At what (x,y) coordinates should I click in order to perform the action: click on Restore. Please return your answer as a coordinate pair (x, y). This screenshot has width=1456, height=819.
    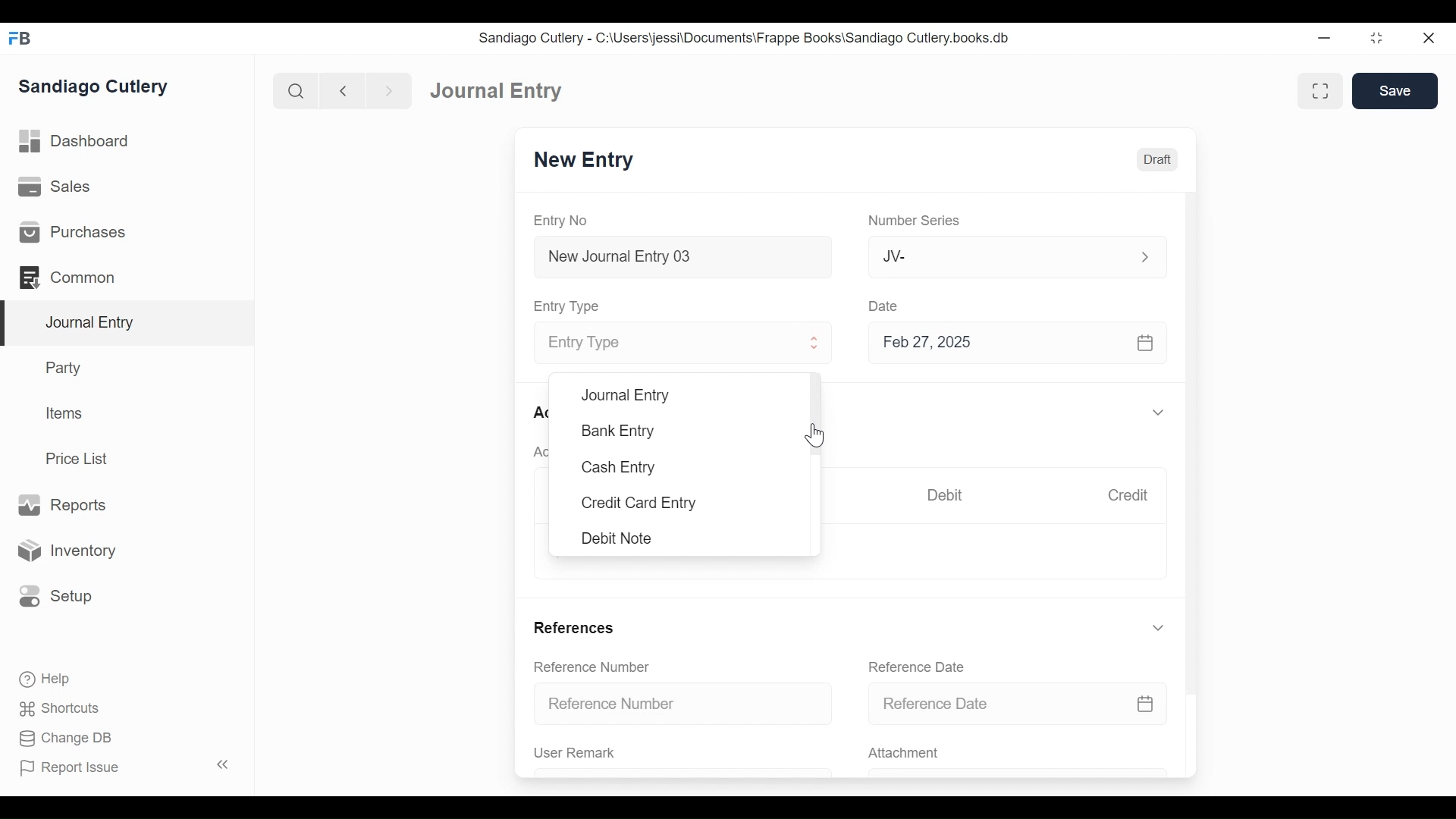
    Looking at the image, I should click on (1376, 37).